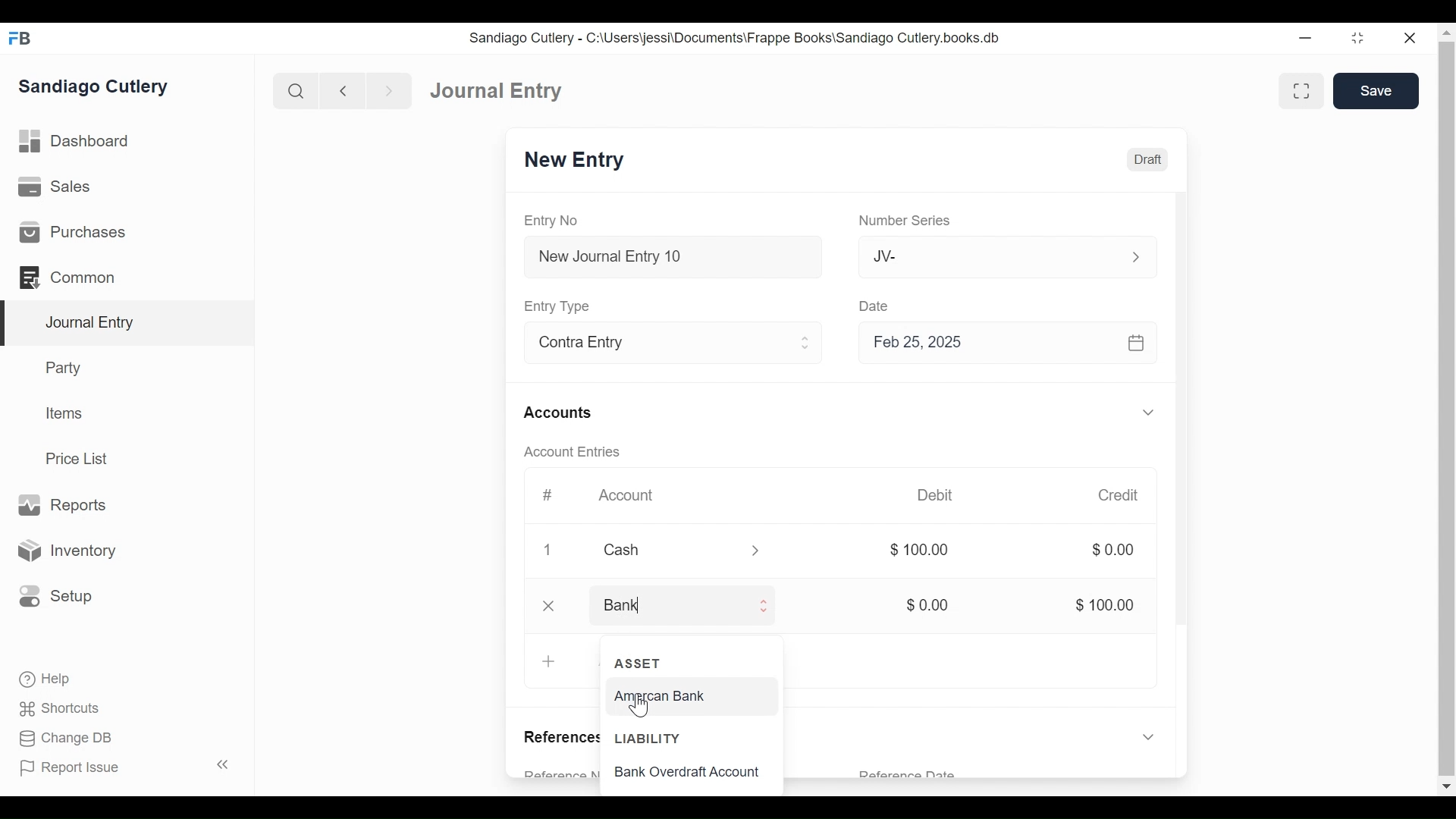 The width and height of the screenshot is (1456, 819). Describe the element at coordinates (61, 368) in the screenshot. I see `Party` at that location.